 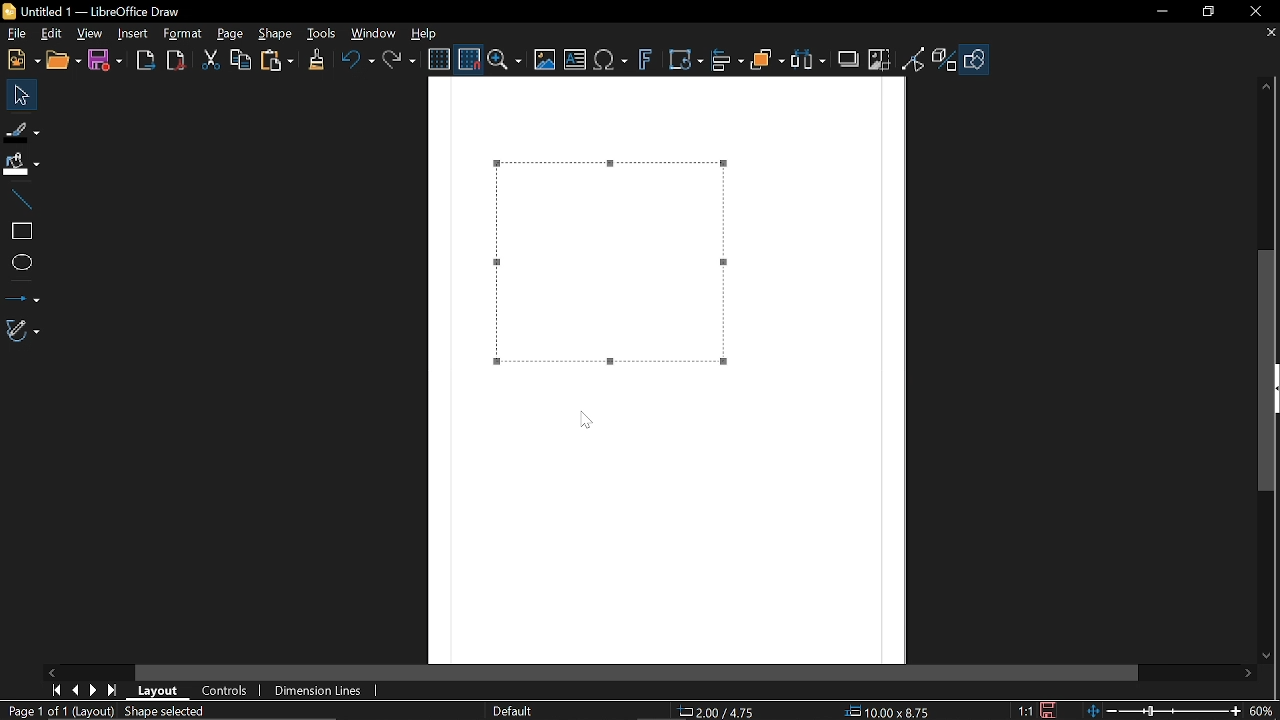 I want to click on Move down, so click(x=1270, y=658).